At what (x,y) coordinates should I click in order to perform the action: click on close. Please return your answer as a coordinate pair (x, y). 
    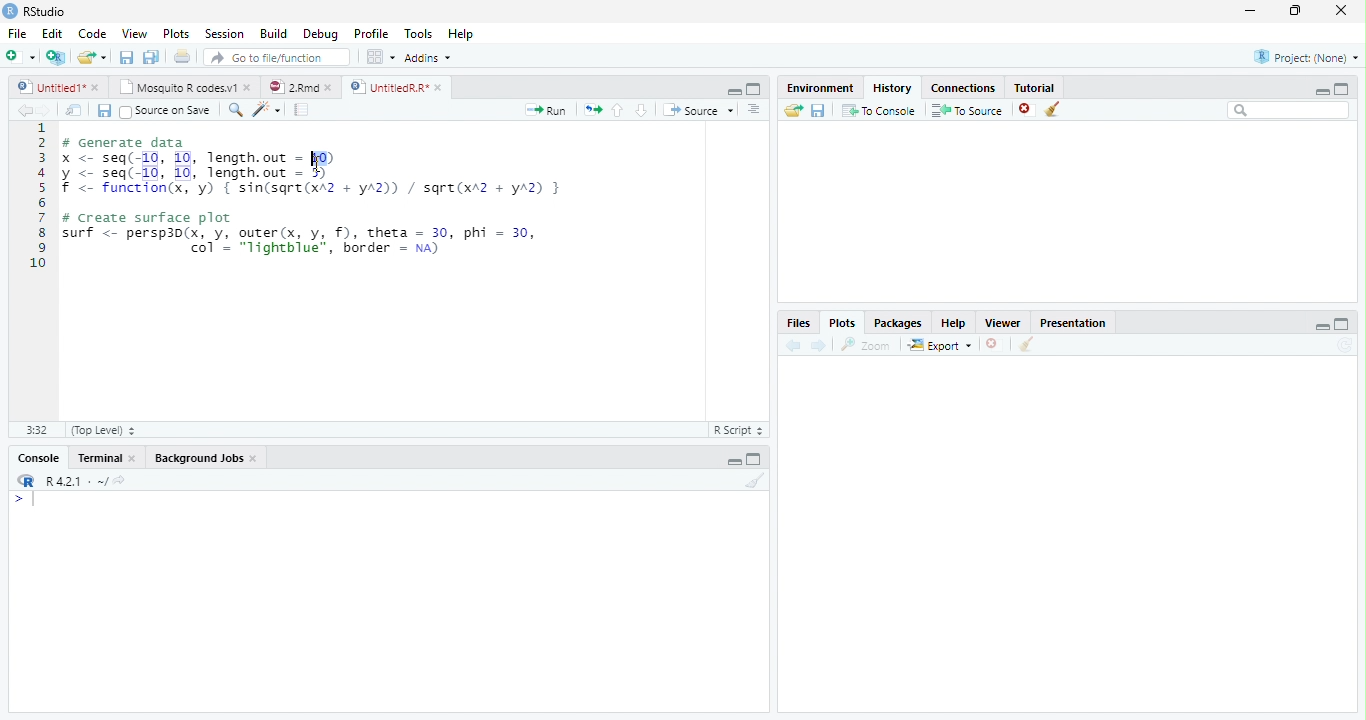
    Looking at the image, I should click on (1341, 10).